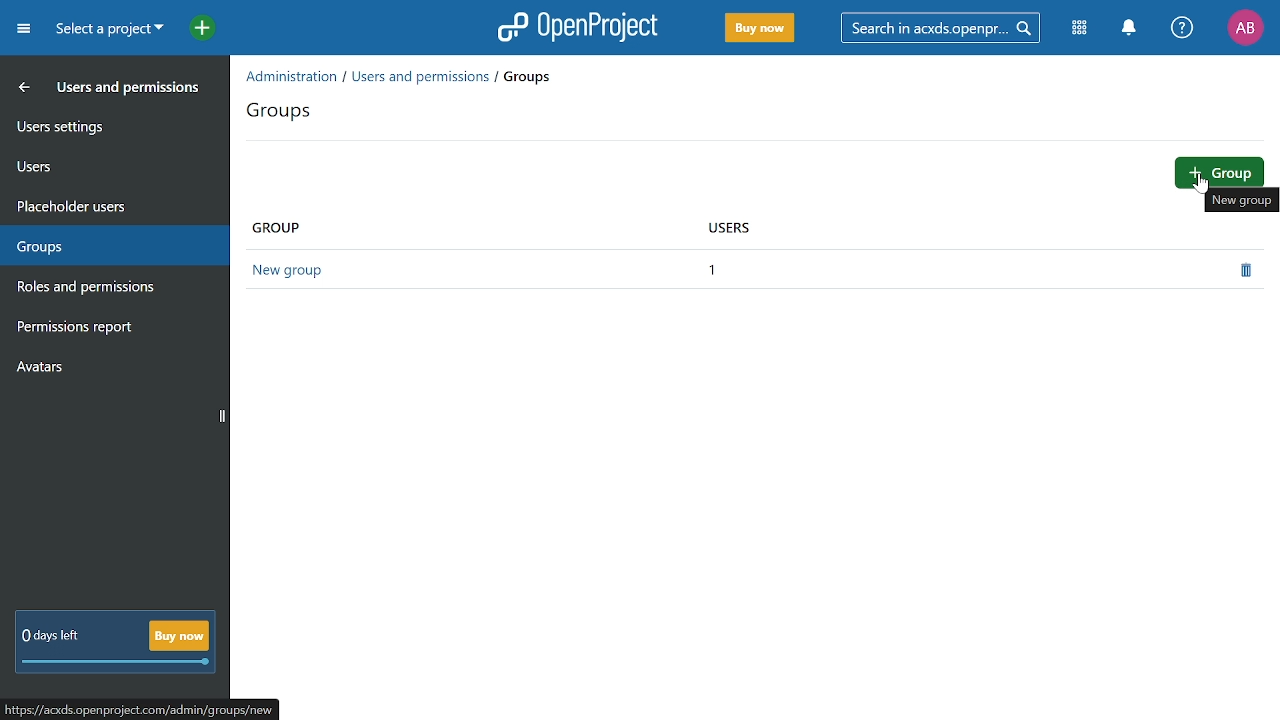  What do you see at coordinates (1128, 28) in the screenshot?
I see `Notification` at bounding box center [1128, 28].